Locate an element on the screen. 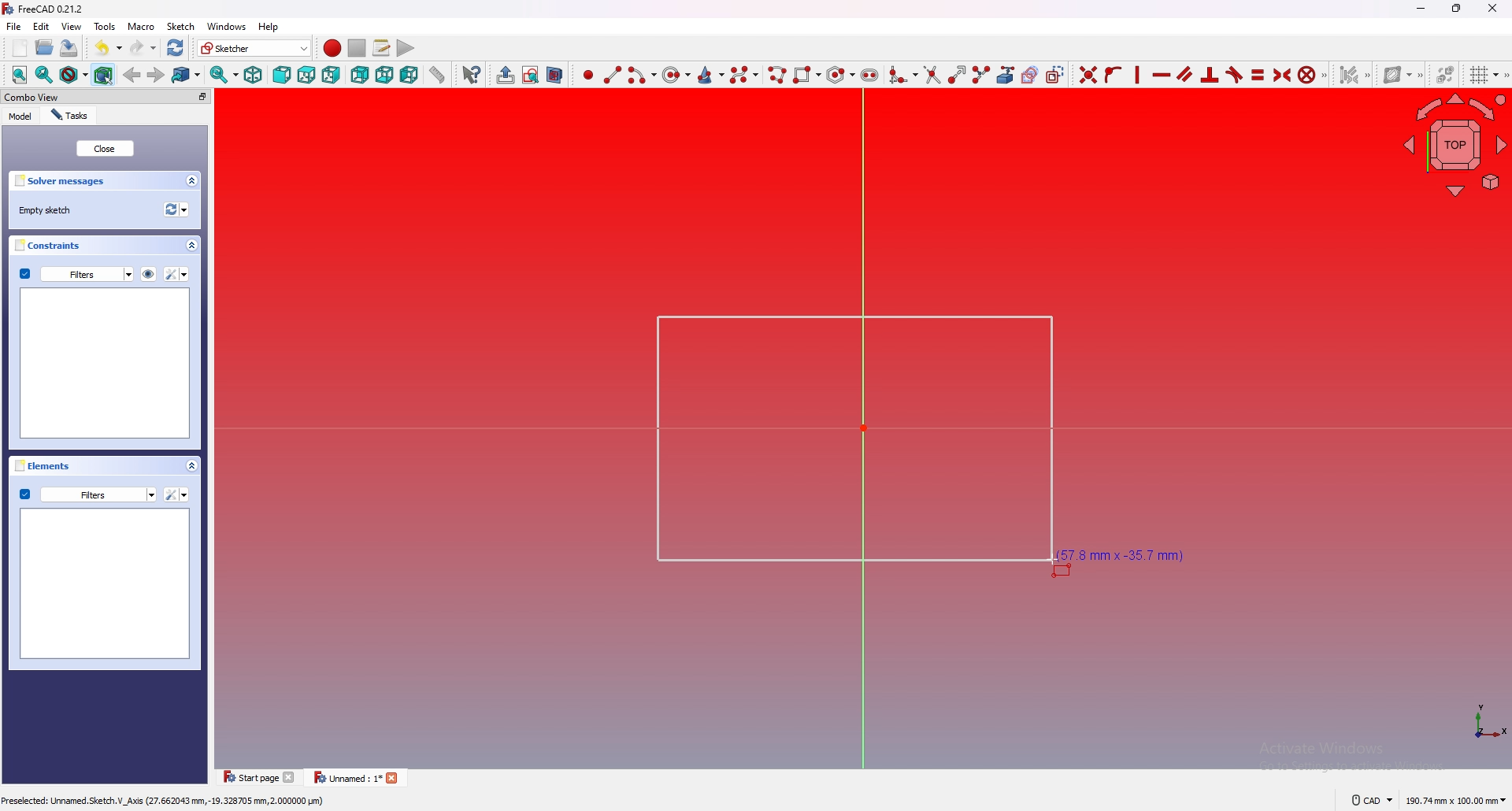 This screenshot has height=811, width=1512. collapse is located at coordinates (191, 245).